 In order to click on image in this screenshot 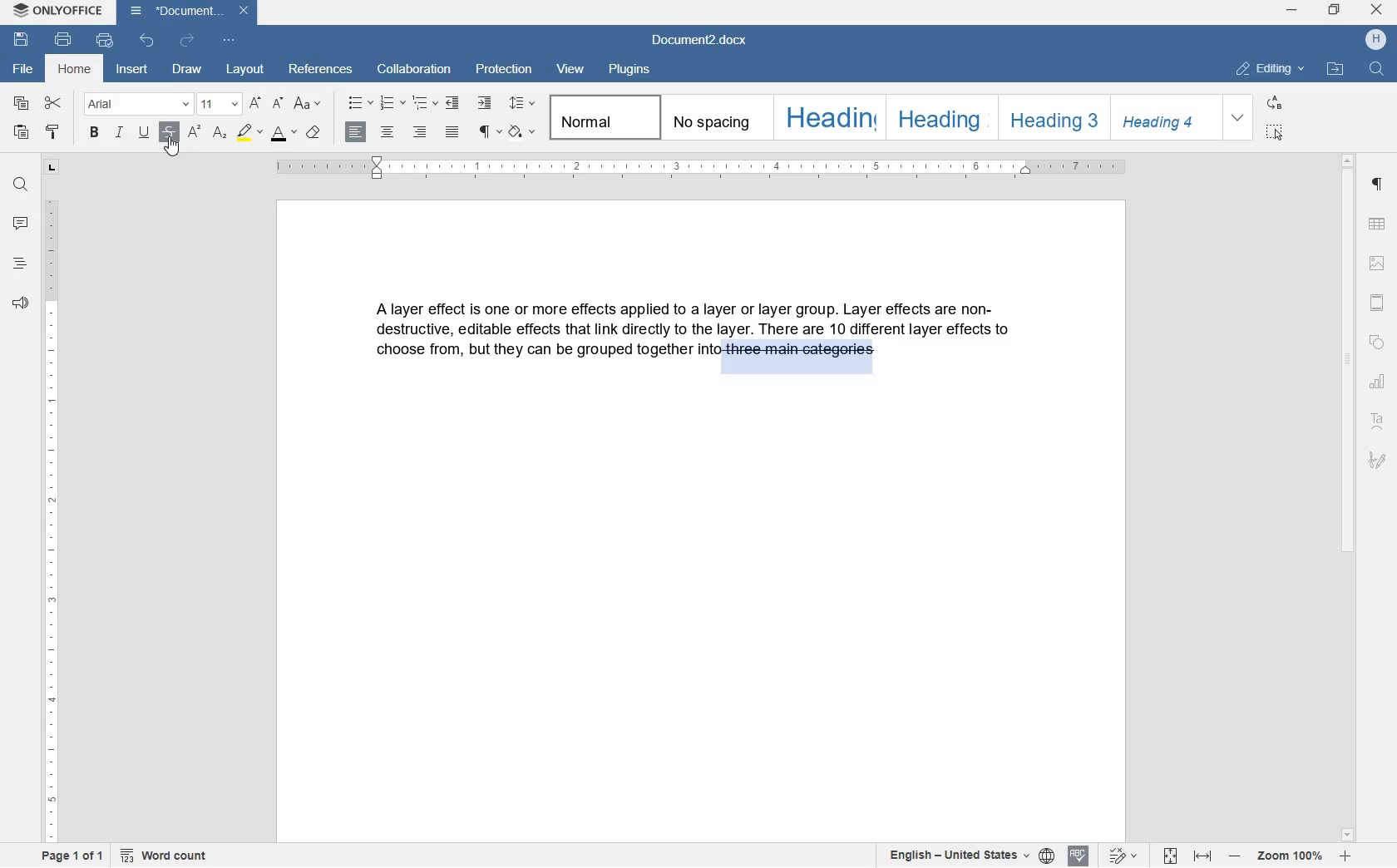, I will do `click(1378, 264)`.